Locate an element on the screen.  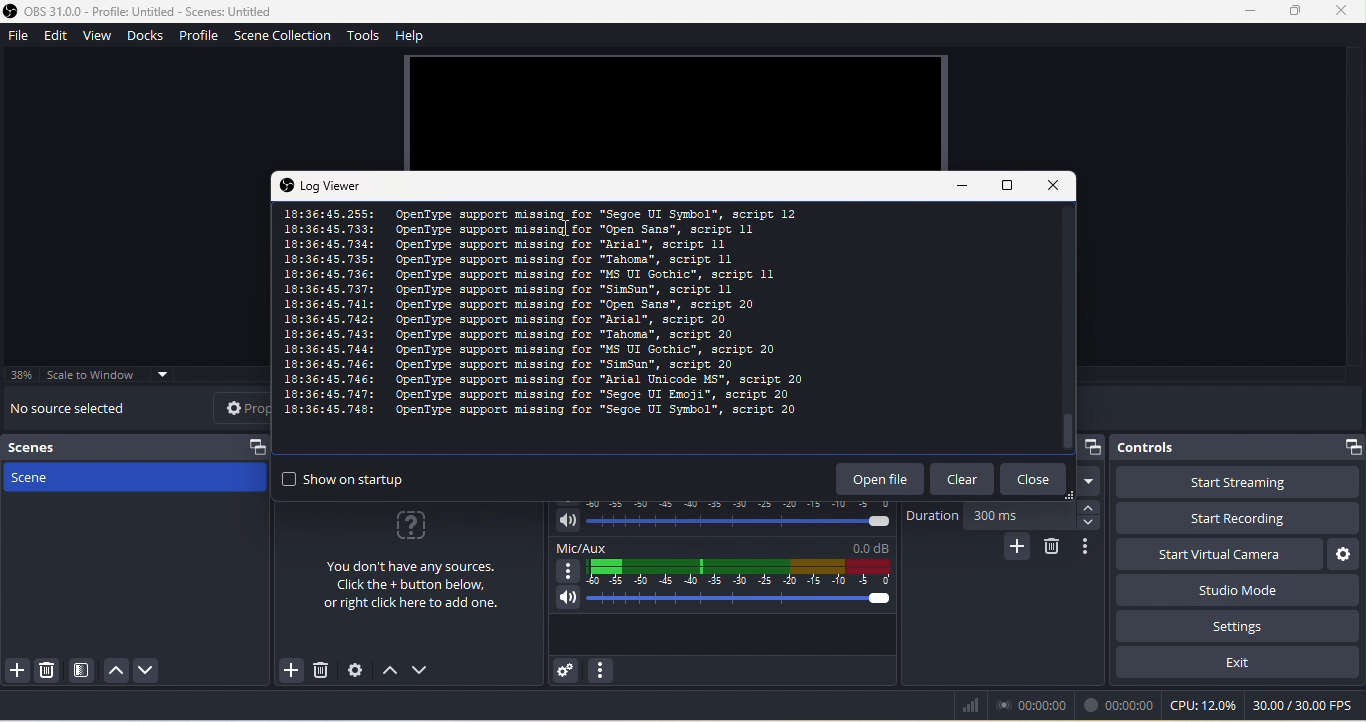
tools is located at coordinates (365, 38).